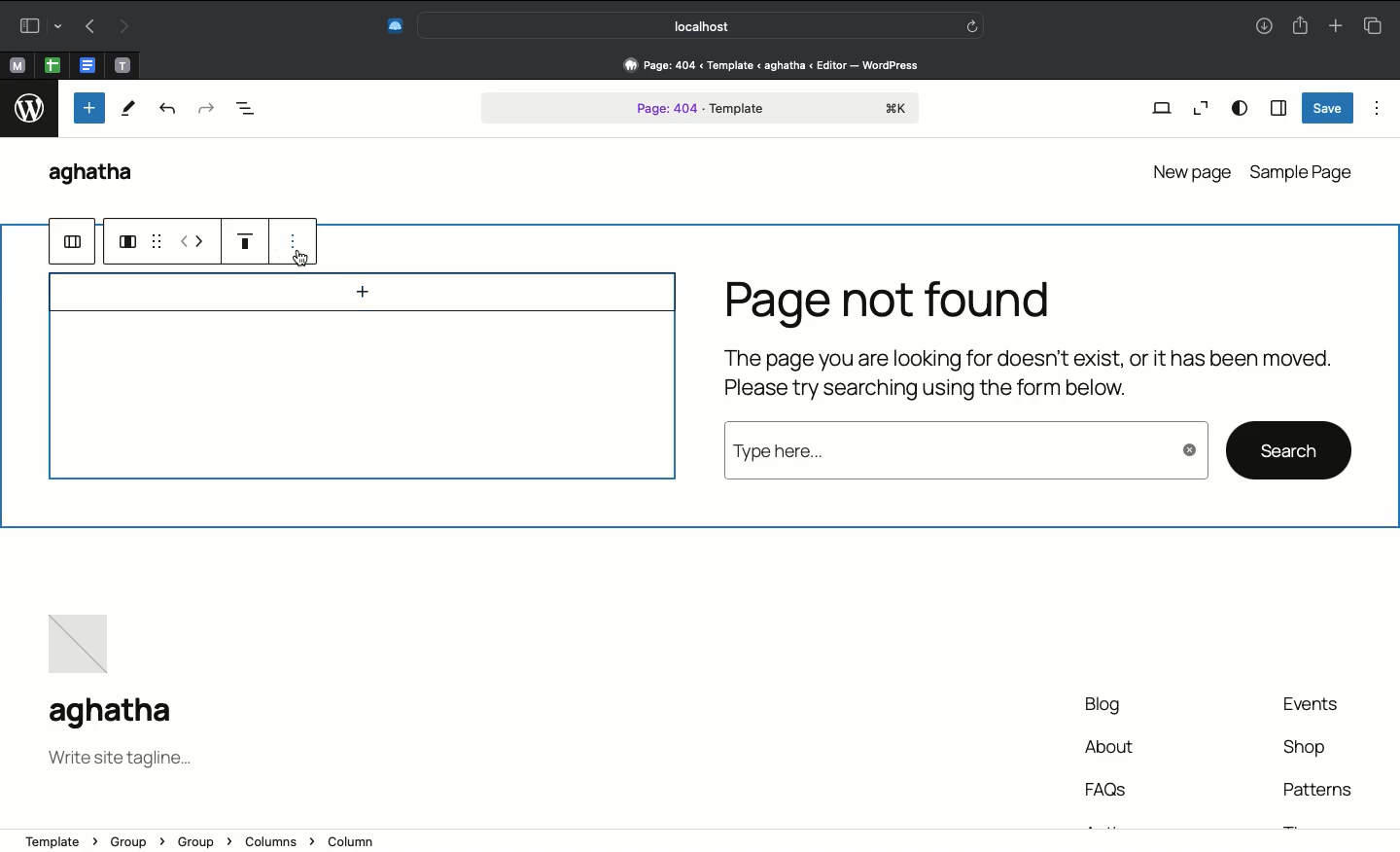  What do you see at coordinates (100, 175) in the screenshot?
I see `WordPress name` at bounding box center [100, 175].